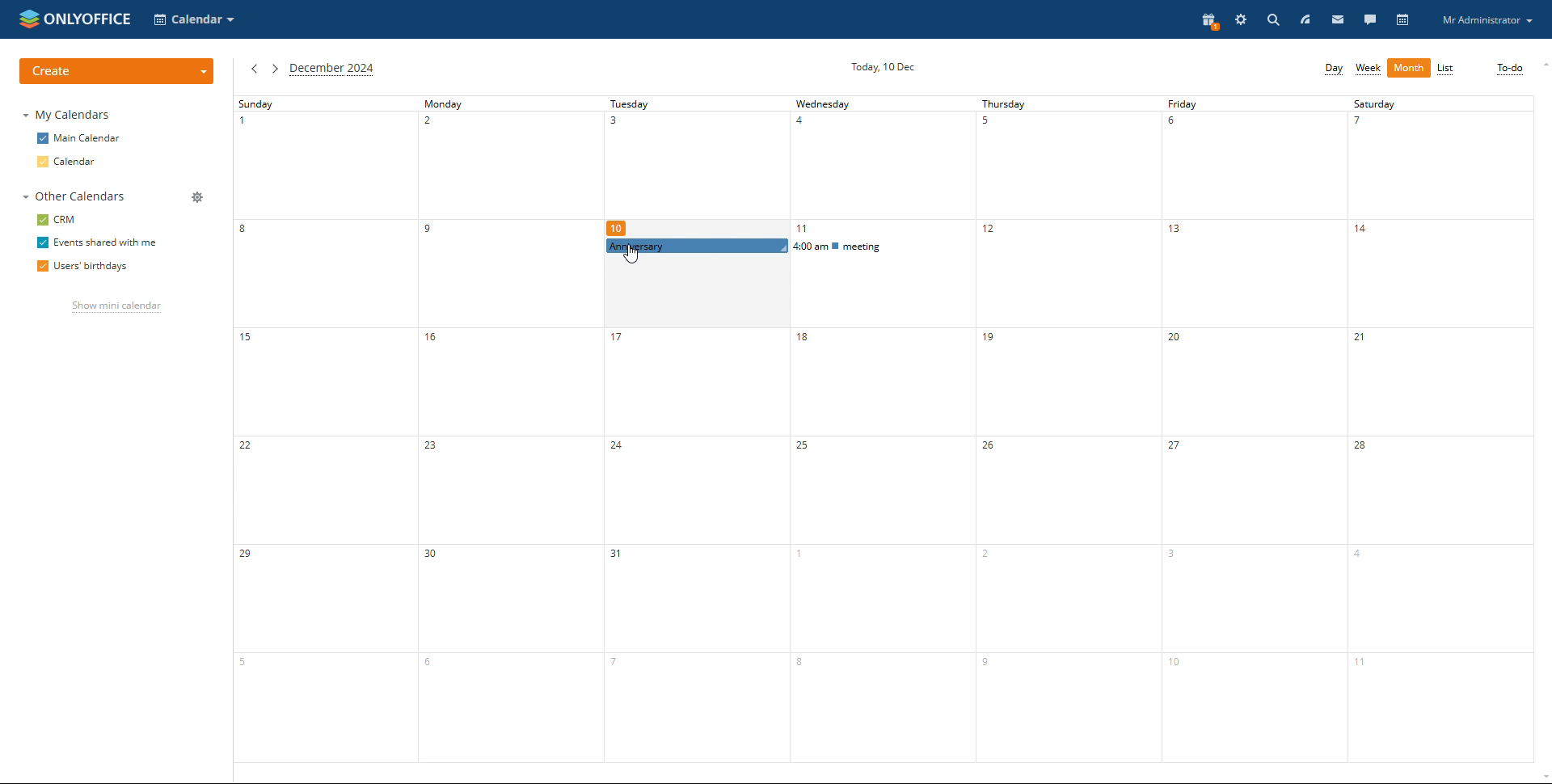 The height and width of the screenshot is (784, 1552). Describe the element at coordinates (1066, 429) in the screenshot. I see `thursday` at that location.